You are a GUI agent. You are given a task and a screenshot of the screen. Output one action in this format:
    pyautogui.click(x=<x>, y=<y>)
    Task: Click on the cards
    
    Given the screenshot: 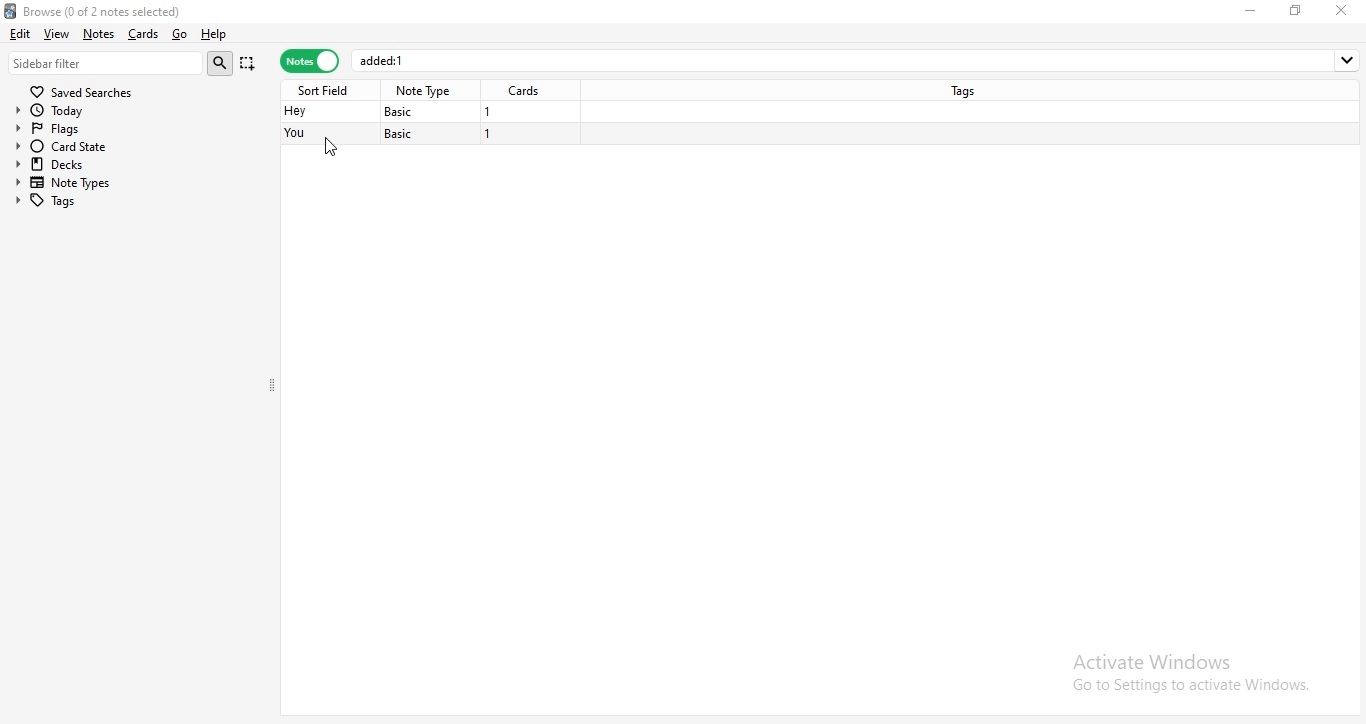 What is the action you would take?
    pyautogui.click(x=528, y=91)
    